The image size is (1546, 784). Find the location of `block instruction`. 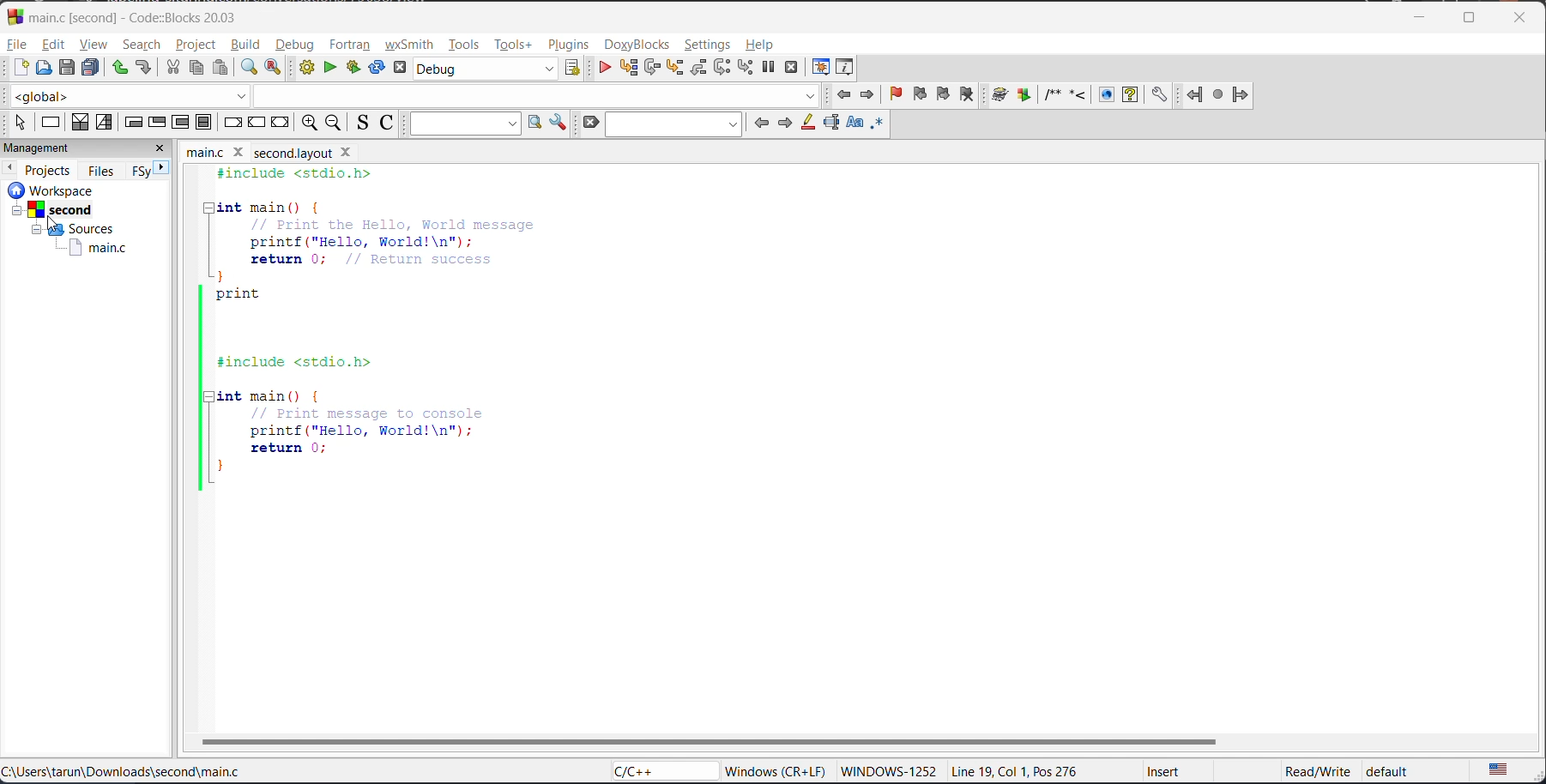

block instruction is located at coordinates (205, 124).